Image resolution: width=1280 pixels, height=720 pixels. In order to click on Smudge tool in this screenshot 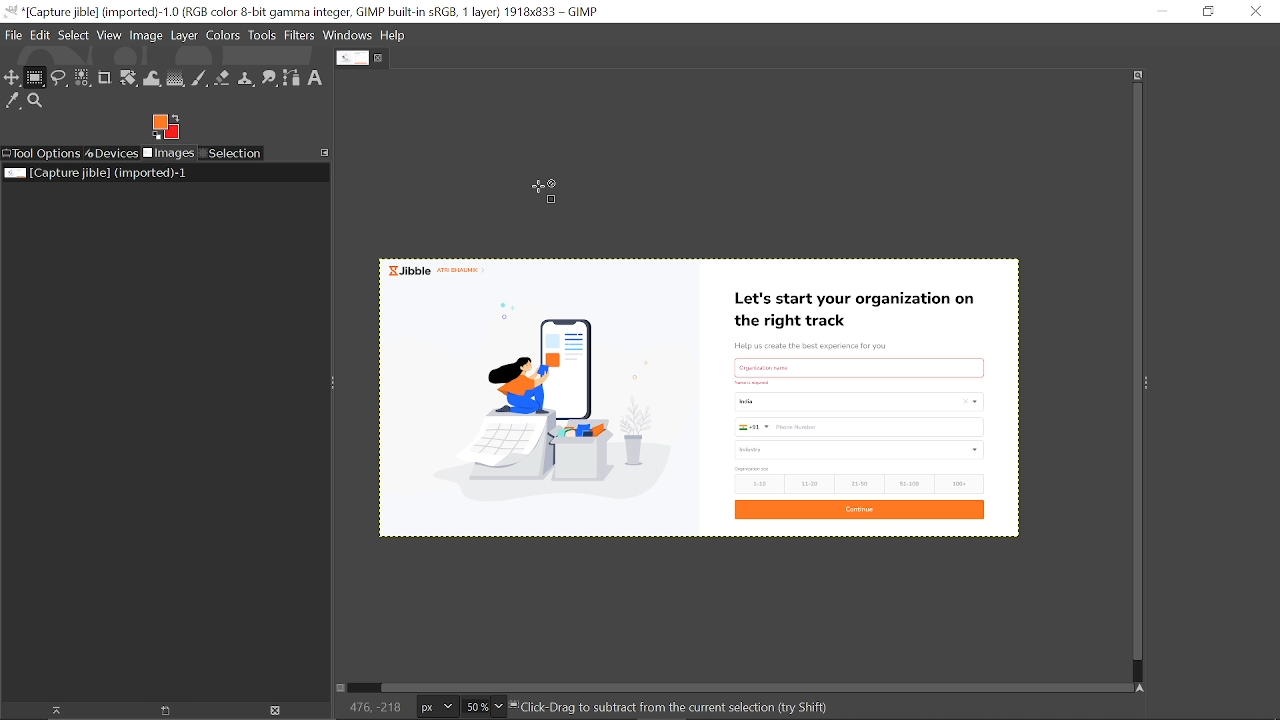, I will do `click(270, 79)`.